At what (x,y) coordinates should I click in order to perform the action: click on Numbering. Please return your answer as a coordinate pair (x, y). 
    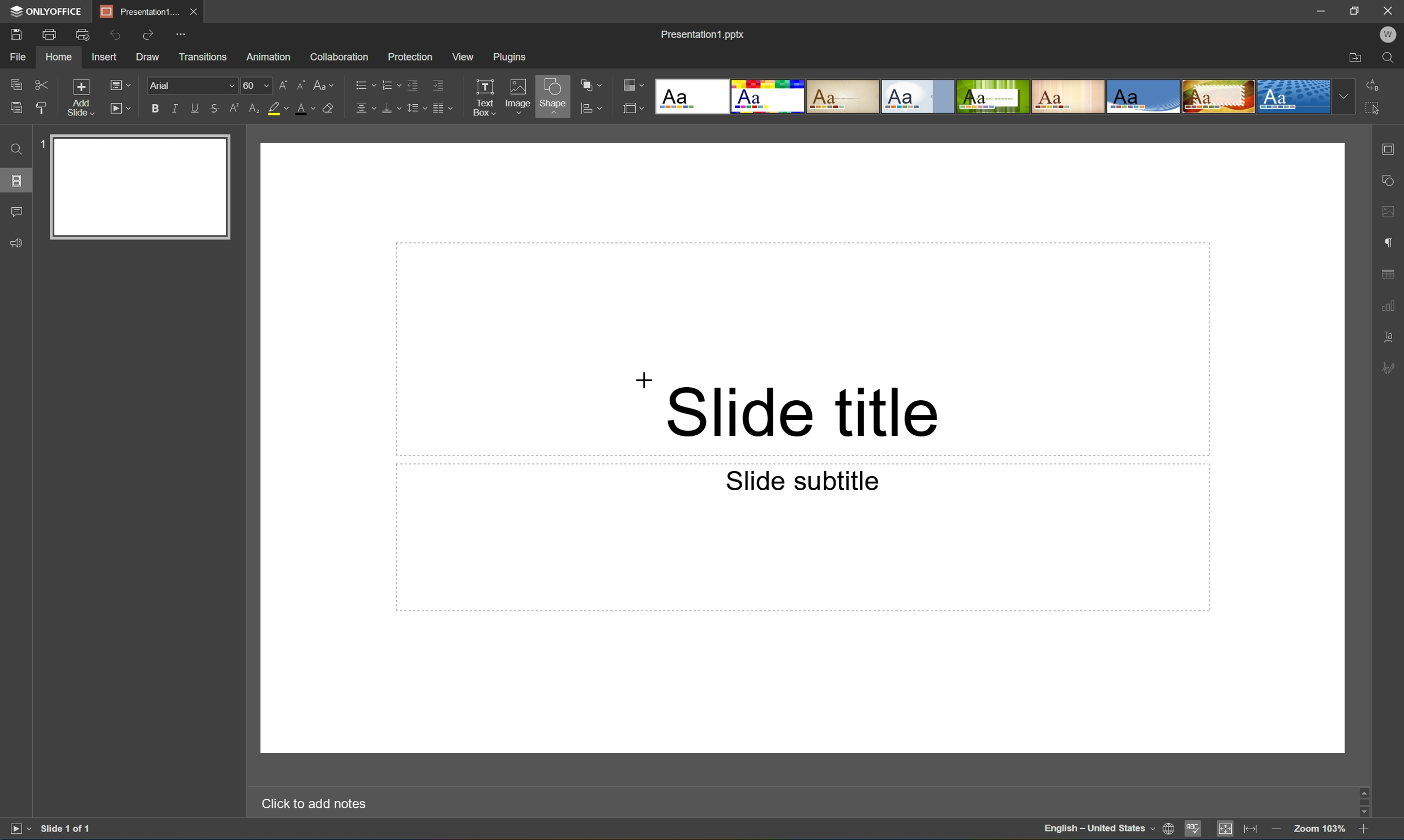
    Looking at the image, I should click on (387, 84).